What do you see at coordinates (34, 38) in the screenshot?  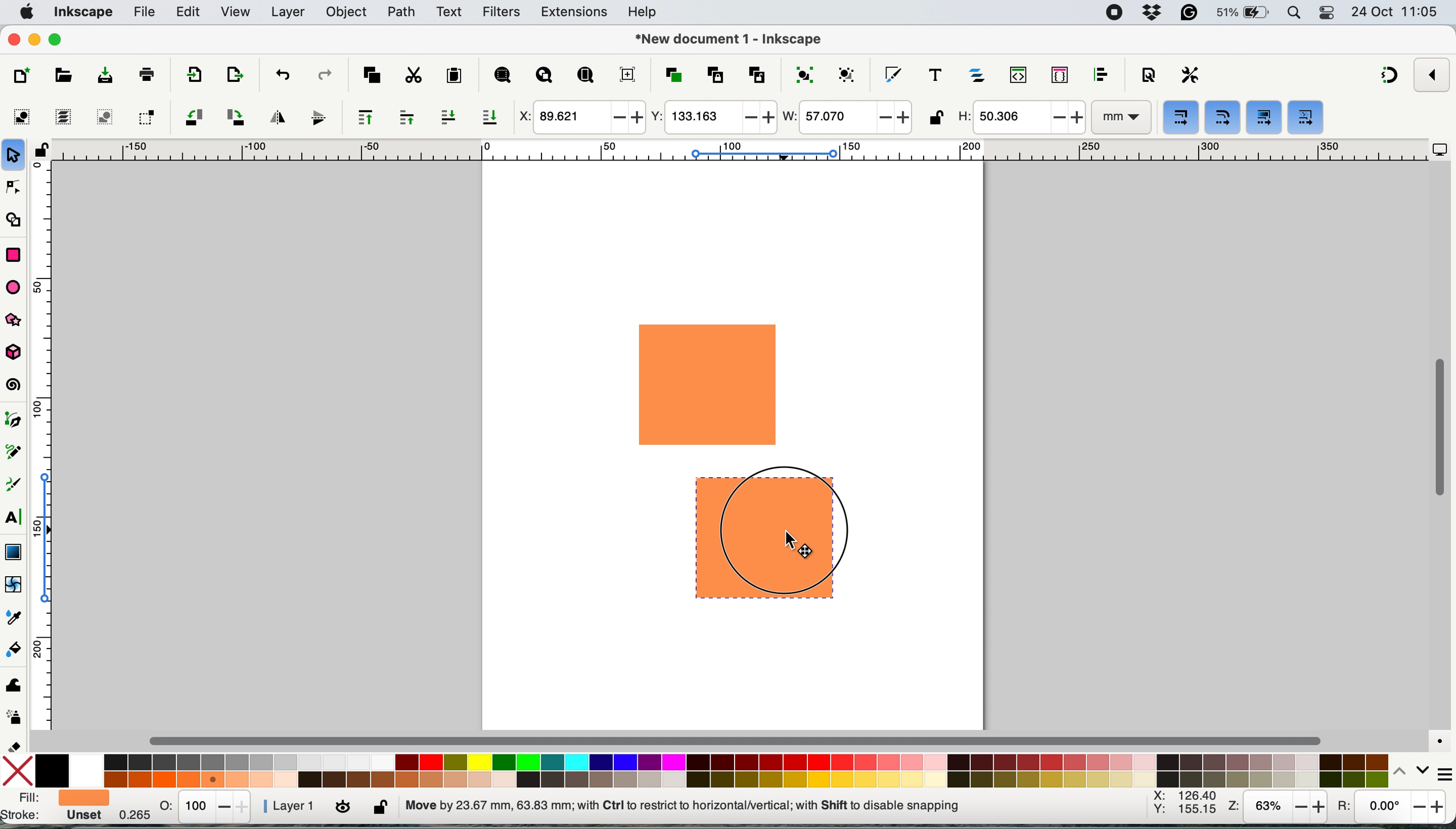 I see `minimise` at bounding box center [34, 38].